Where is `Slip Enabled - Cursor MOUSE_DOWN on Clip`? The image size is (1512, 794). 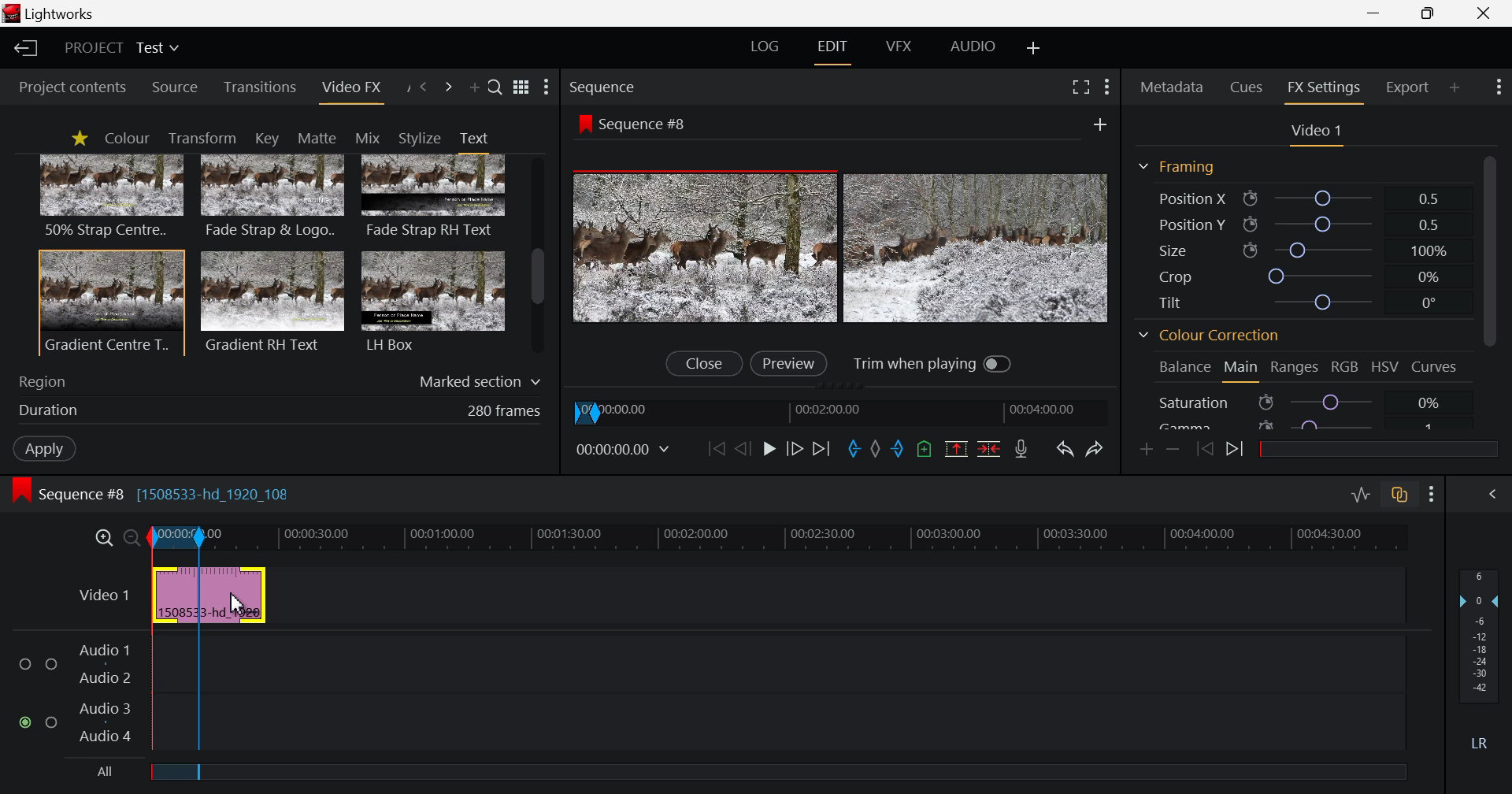 Slip Enabled - Cursor MOUSE_DOWN on Clip is located at coordinates (211, 595).